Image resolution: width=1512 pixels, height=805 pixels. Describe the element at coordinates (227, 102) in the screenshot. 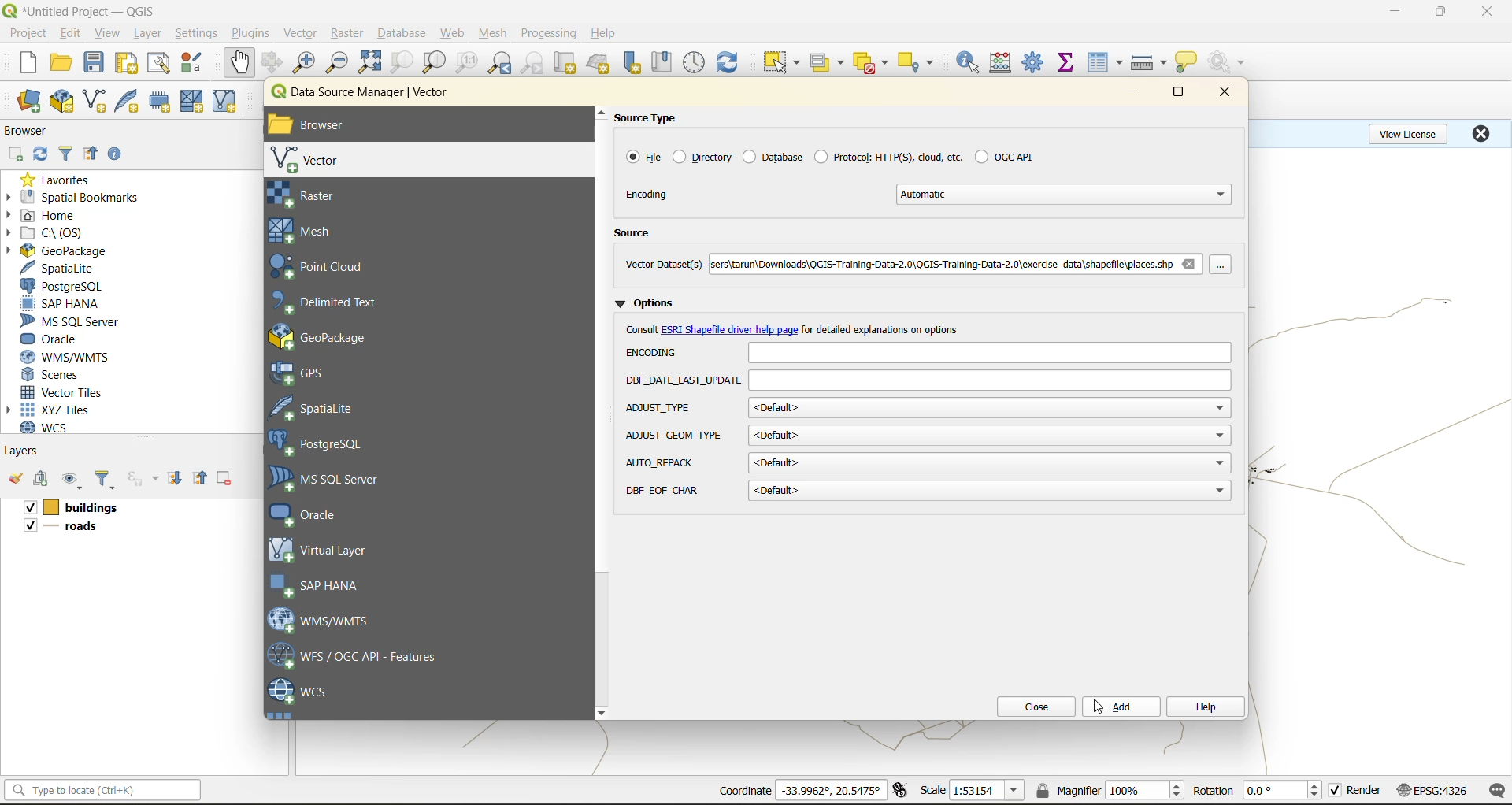

I see `new virtual layer` at that location.